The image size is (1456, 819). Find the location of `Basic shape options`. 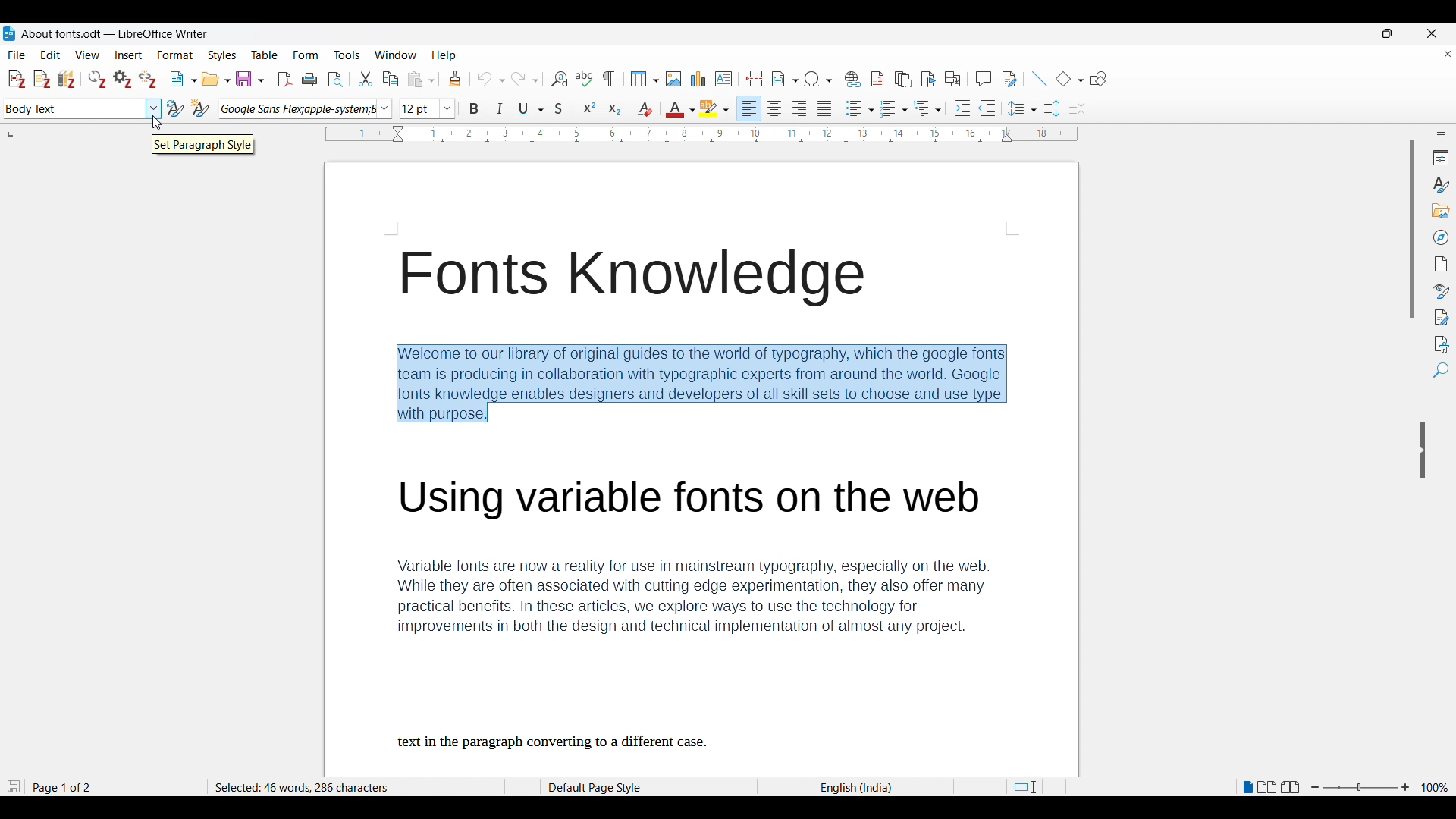

Basic shape options is located at coordinates (1070, 78).